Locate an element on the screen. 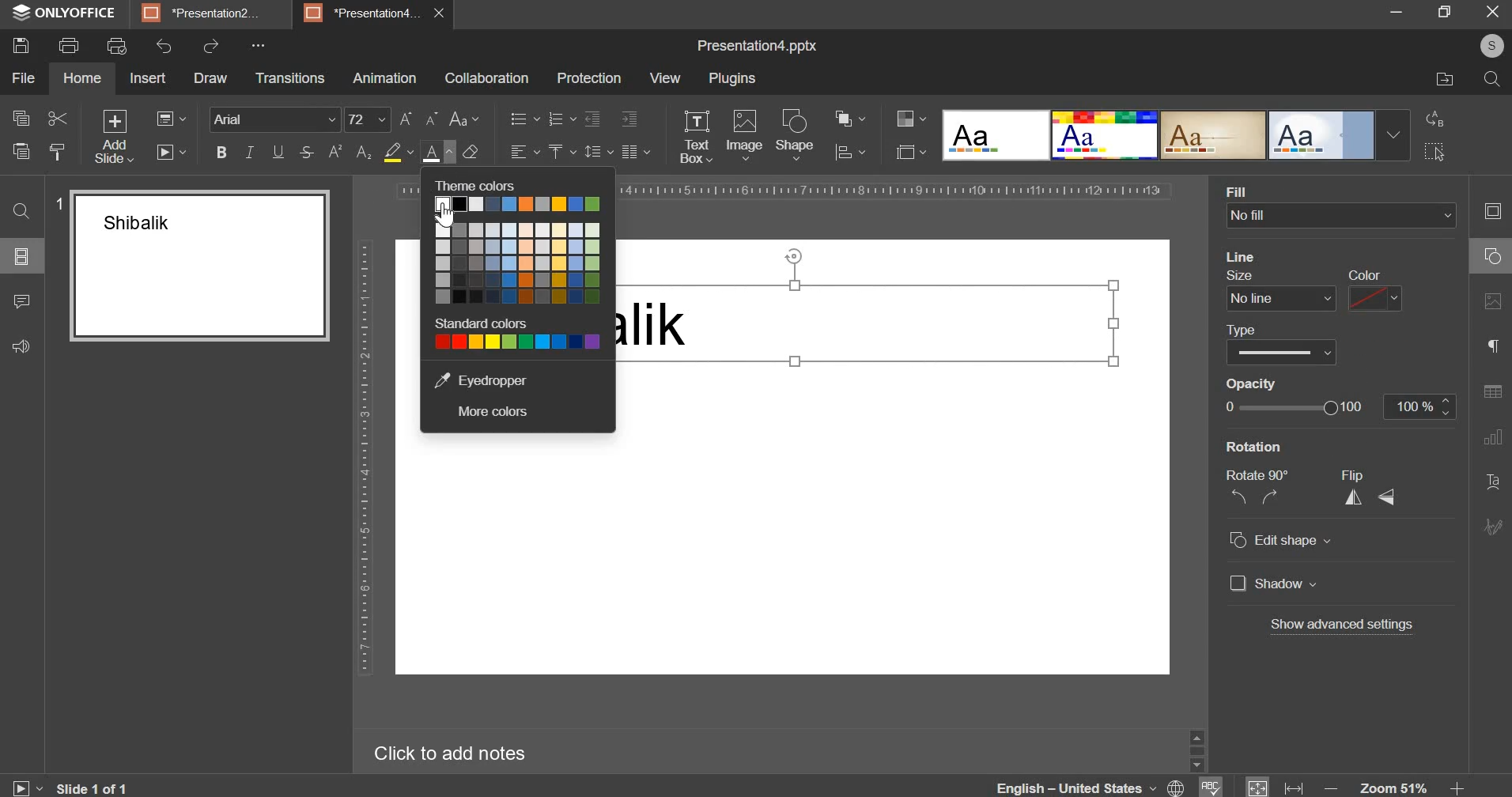  protection is located at coordinates (589, 78).